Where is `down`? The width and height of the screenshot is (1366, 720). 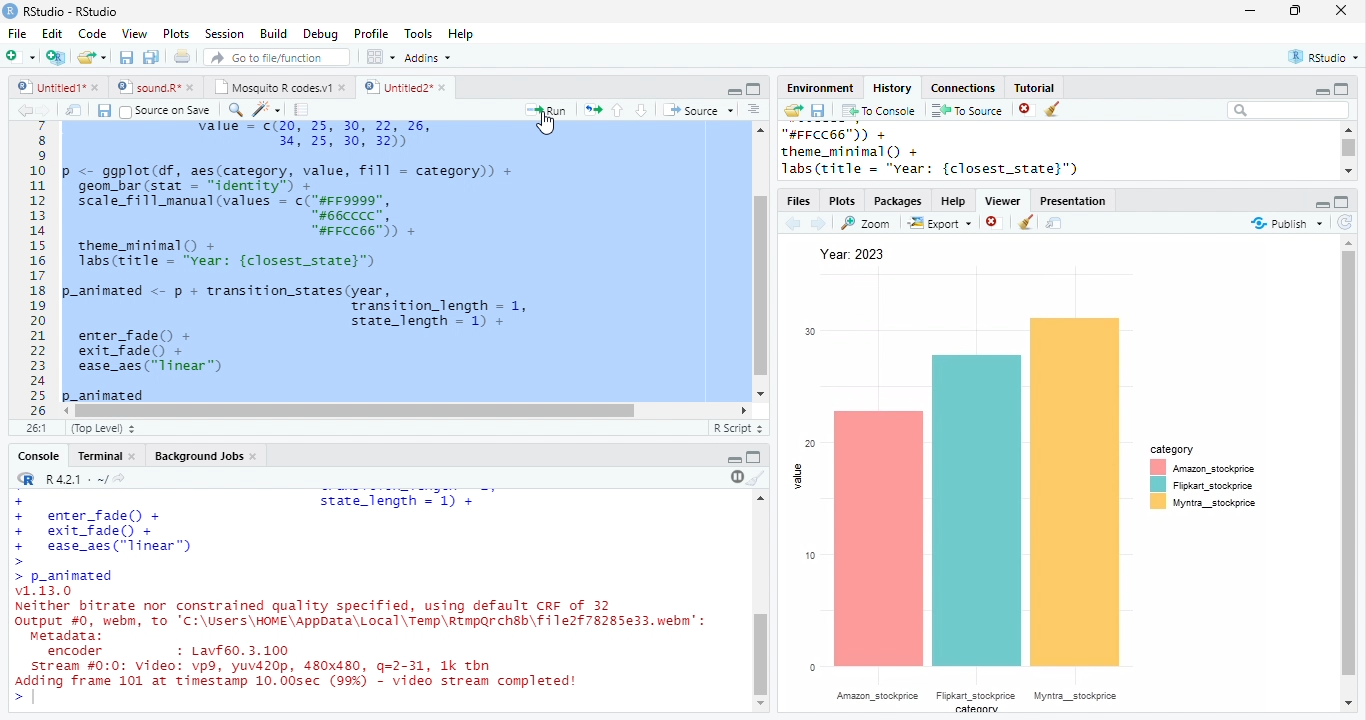
down is located at coordinates (640, 110).